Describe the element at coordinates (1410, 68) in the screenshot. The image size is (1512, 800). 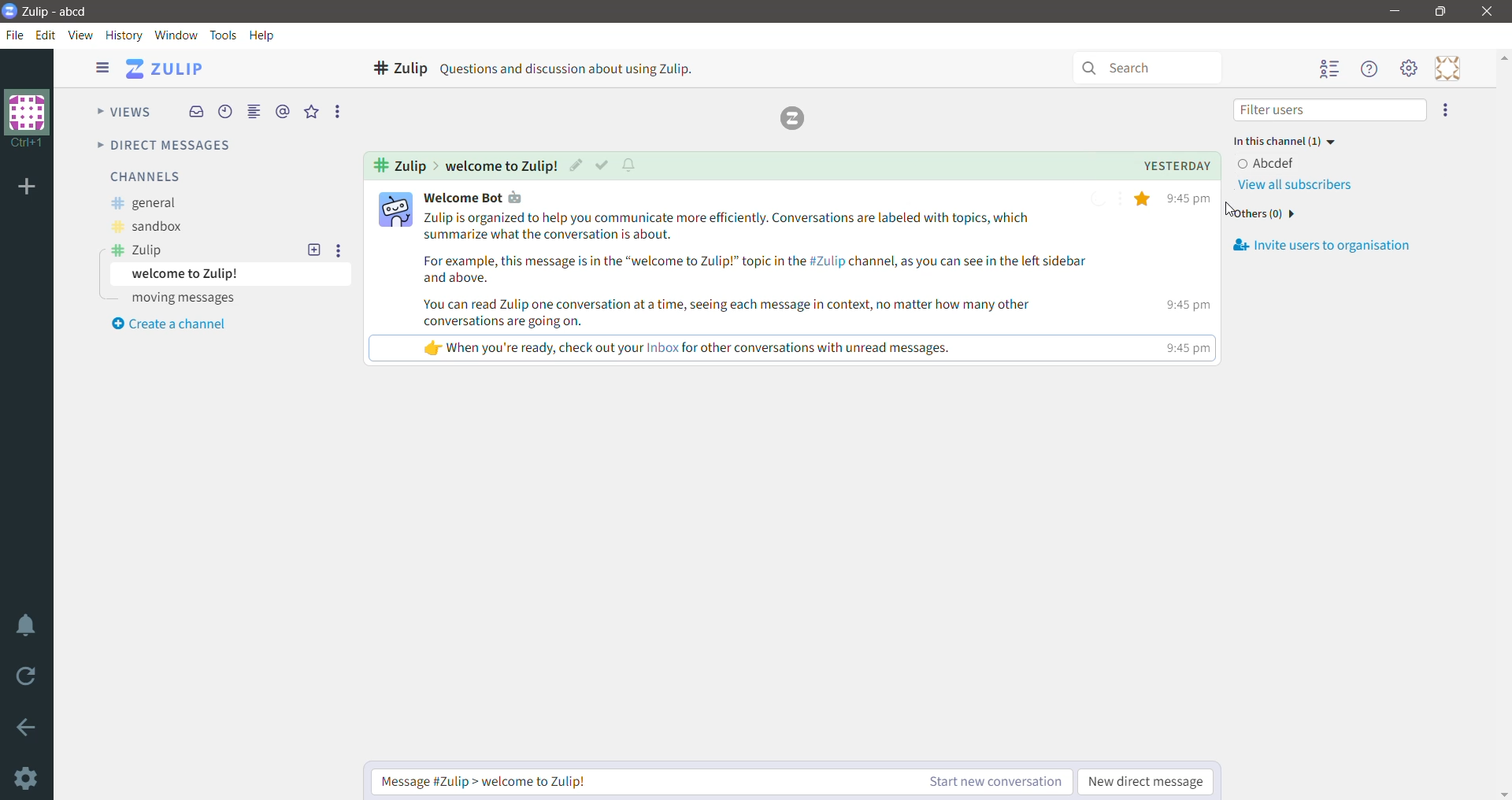
I see `Main Menu` at that location.